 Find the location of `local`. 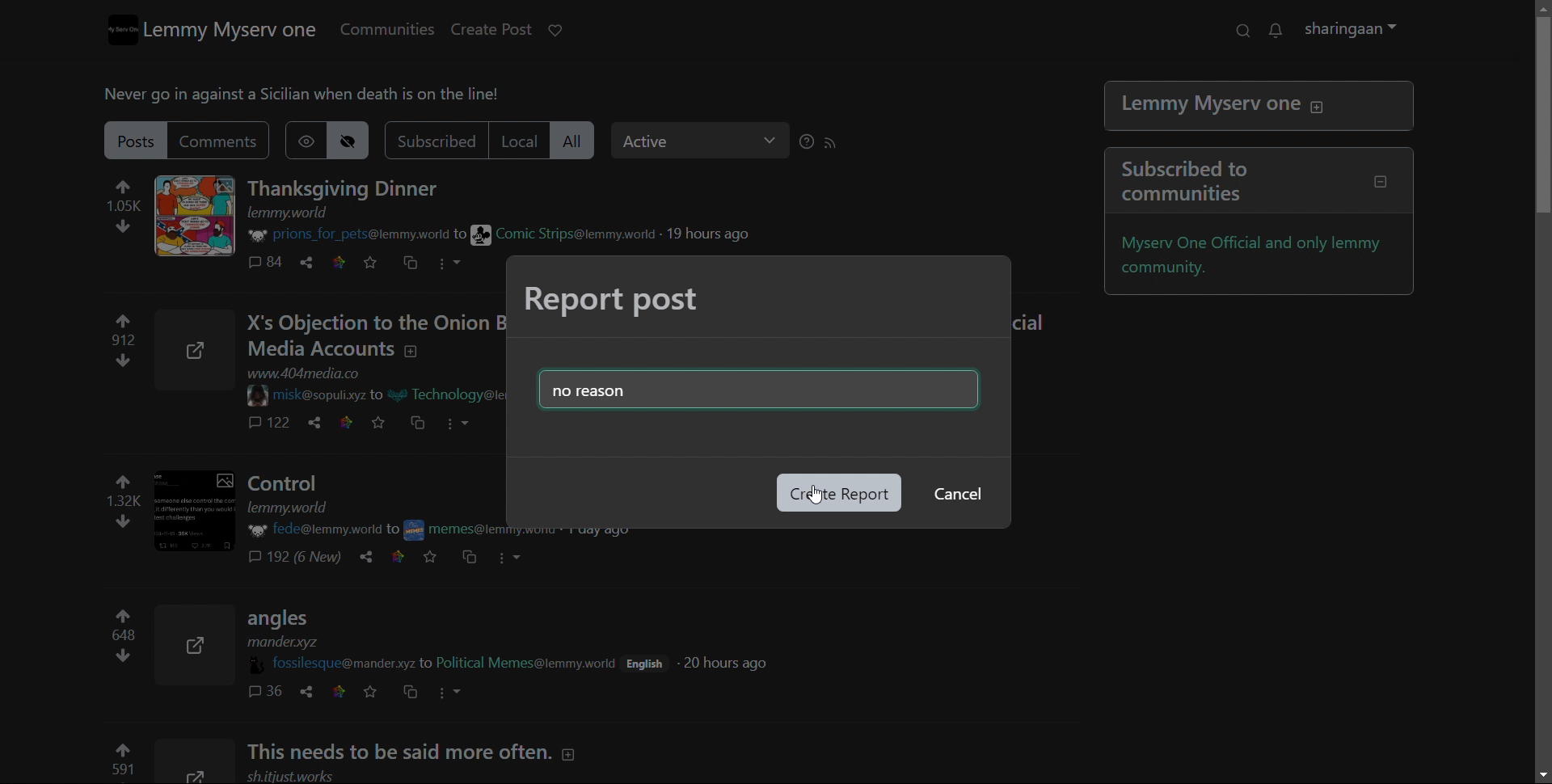

local is located at coordinates (527, 140).